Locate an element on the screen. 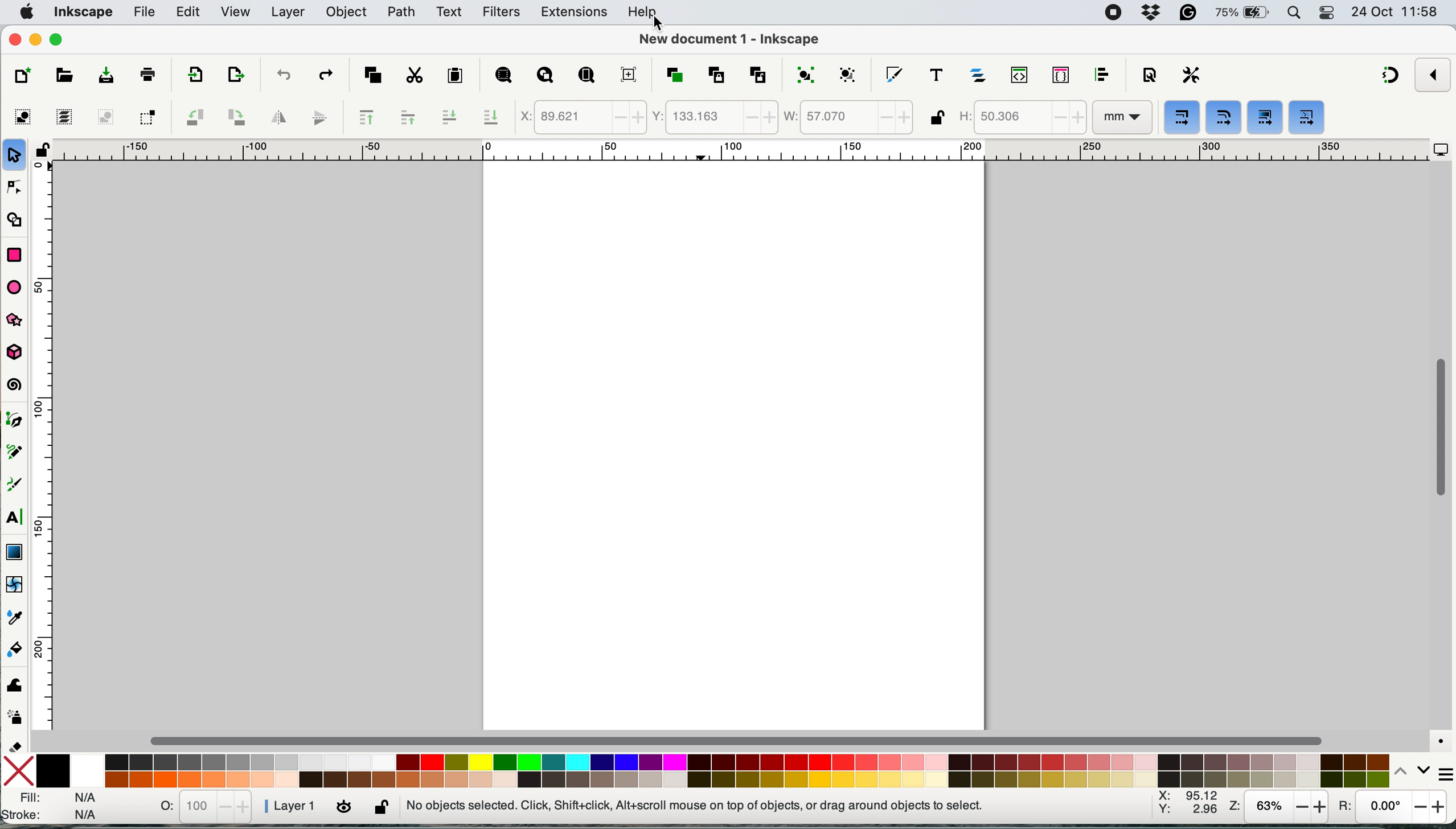 Image resolution: width=1456 pixels, height=829 pixels. align and distribute is located at coordinates (1102, 75).